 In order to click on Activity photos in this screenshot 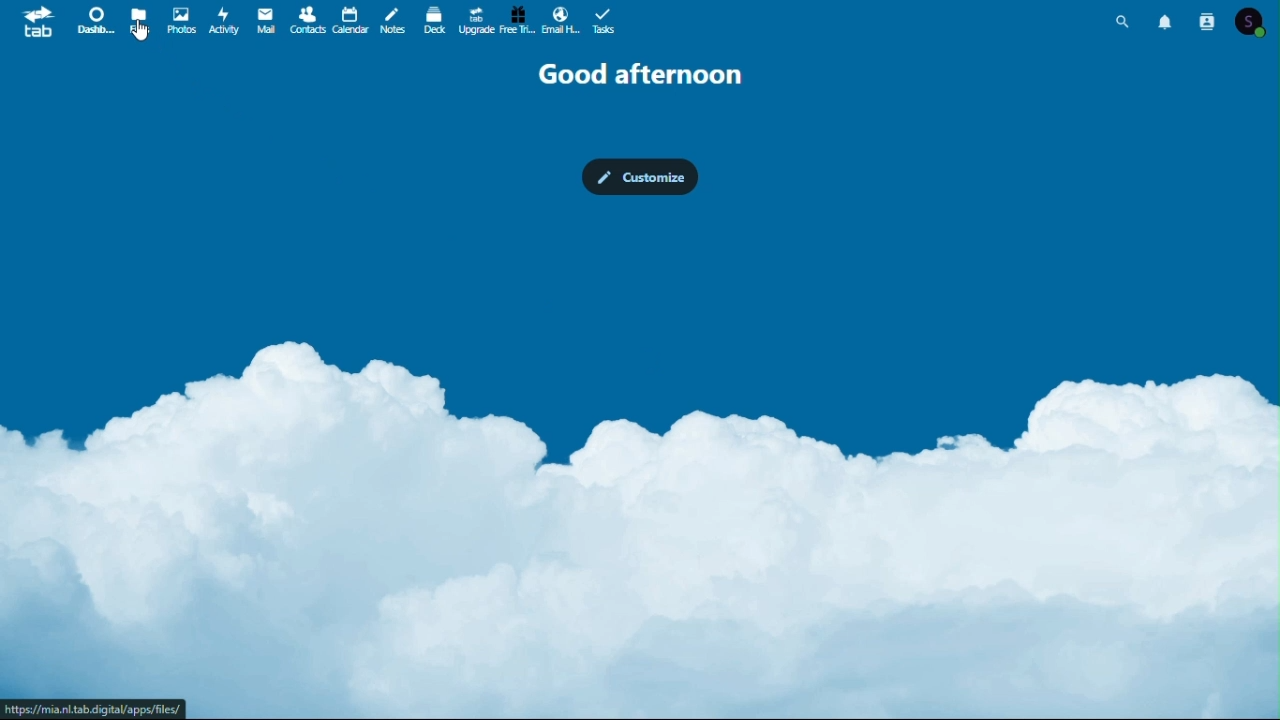, I will do `click(225, 20)`.